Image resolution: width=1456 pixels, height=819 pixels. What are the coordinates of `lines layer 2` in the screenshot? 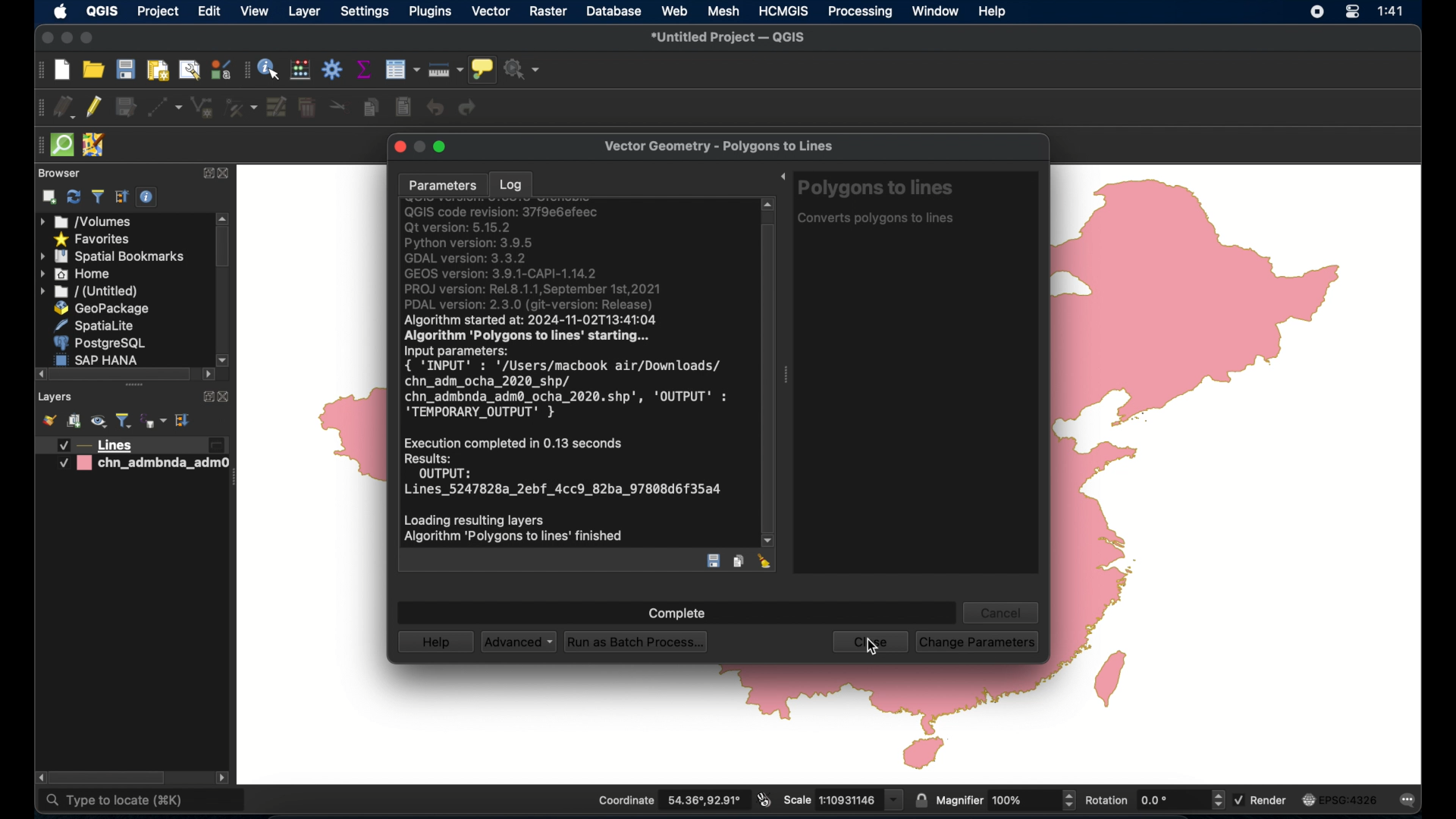 It's located at (142, 444).